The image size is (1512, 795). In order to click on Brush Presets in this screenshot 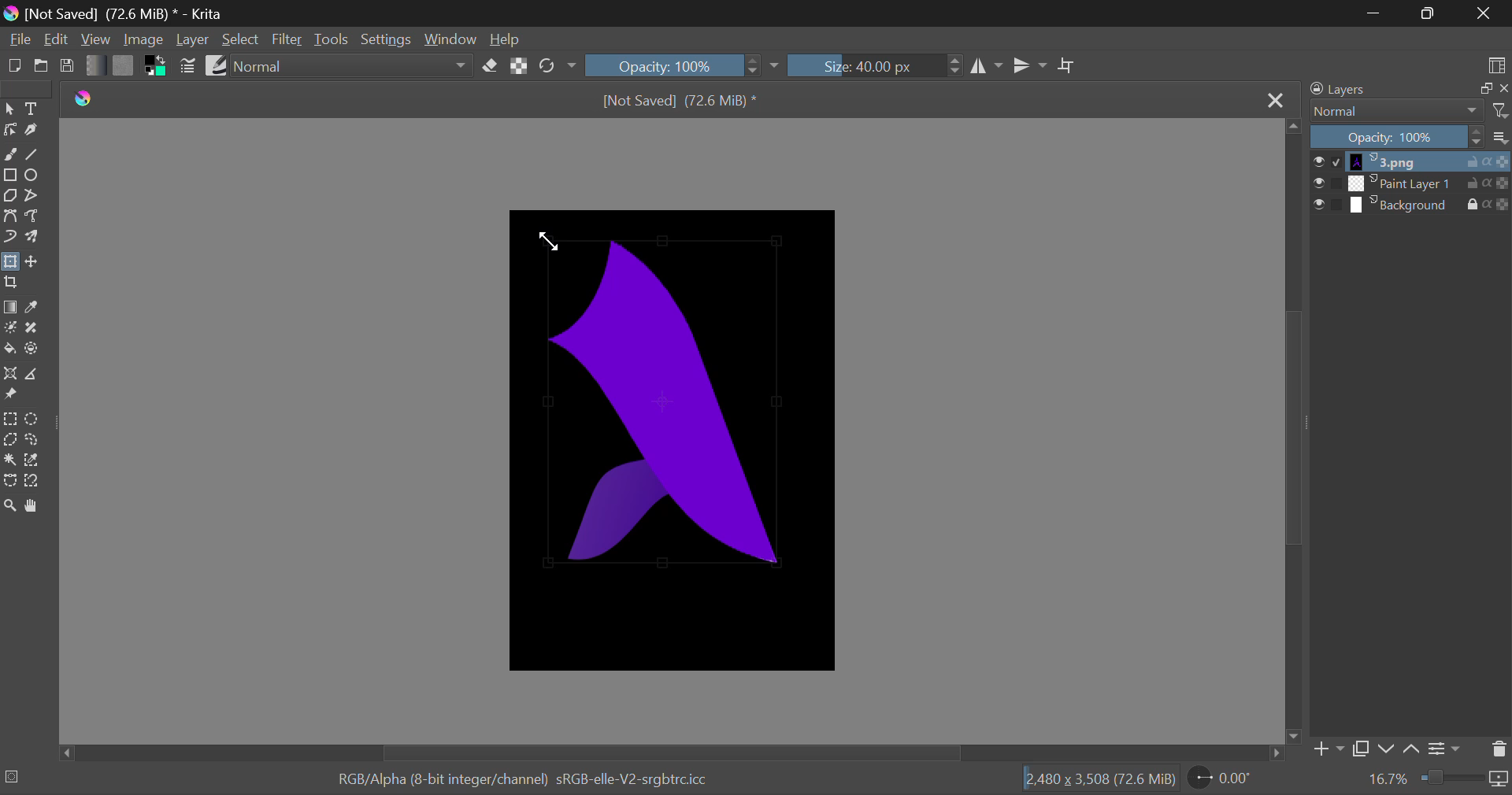, I will do `click(216, 65)`.